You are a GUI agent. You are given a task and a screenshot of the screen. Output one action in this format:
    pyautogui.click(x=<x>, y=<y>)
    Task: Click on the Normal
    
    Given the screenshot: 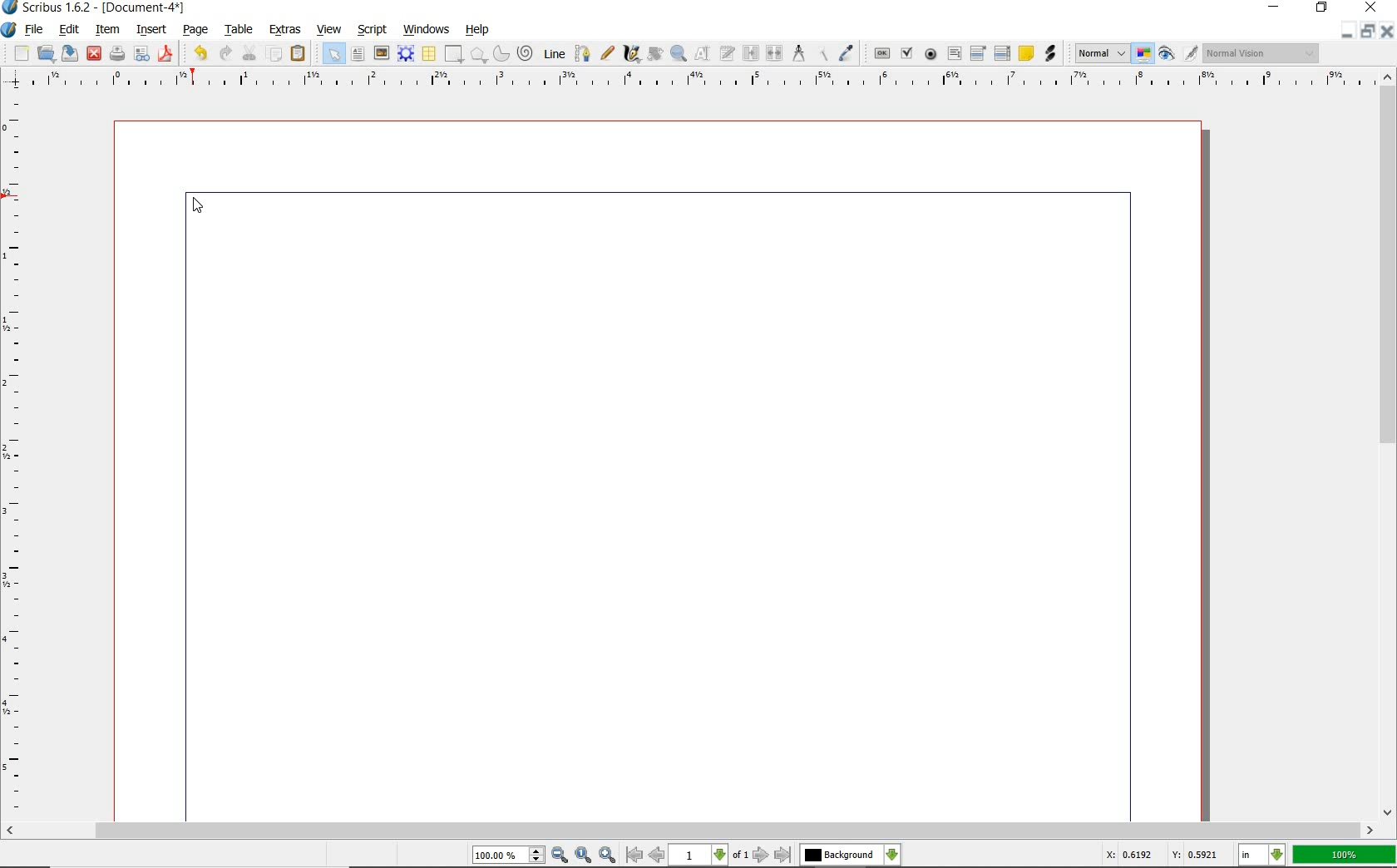 What is the action you would take?
    pyautogui.click(x=1101, y=53)
    